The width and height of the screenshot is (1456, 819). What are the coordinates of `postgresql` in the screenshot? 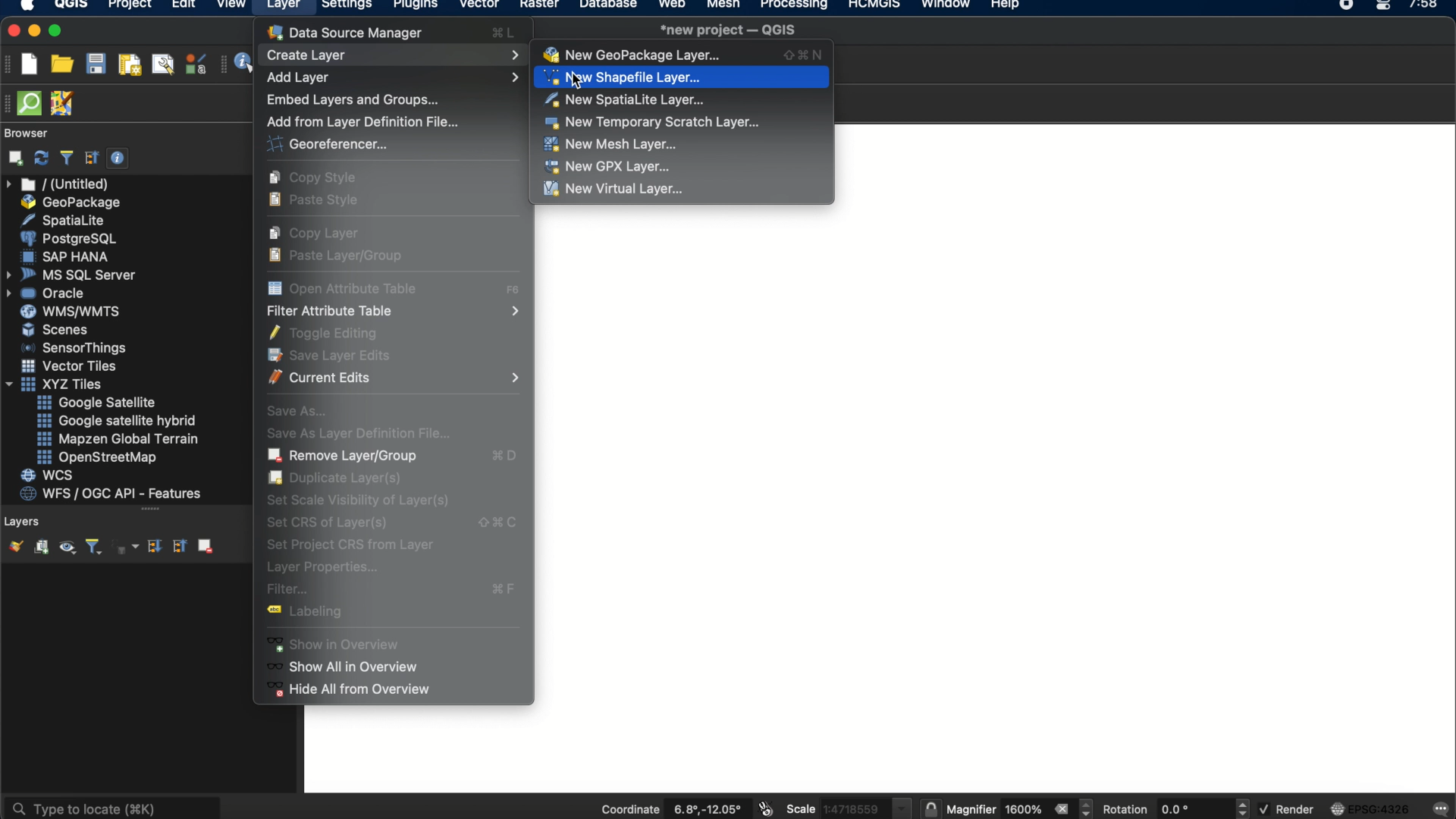 It's located at (68, 239).